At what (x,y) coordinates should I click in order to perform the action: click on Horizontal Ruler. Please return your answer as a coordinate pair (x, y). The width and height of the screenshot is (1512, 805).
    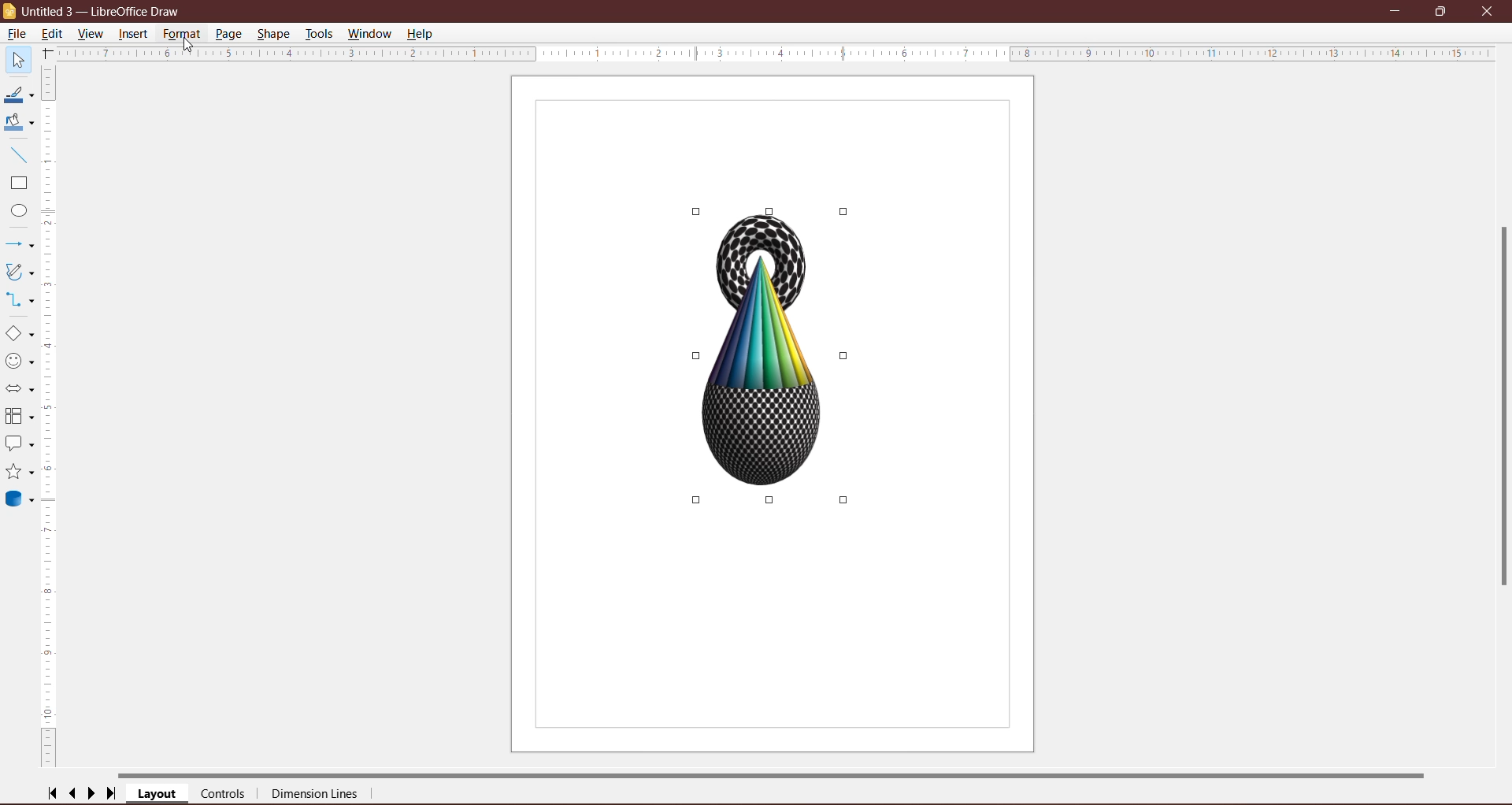
    Looking at the image, I should click on (774, 54).